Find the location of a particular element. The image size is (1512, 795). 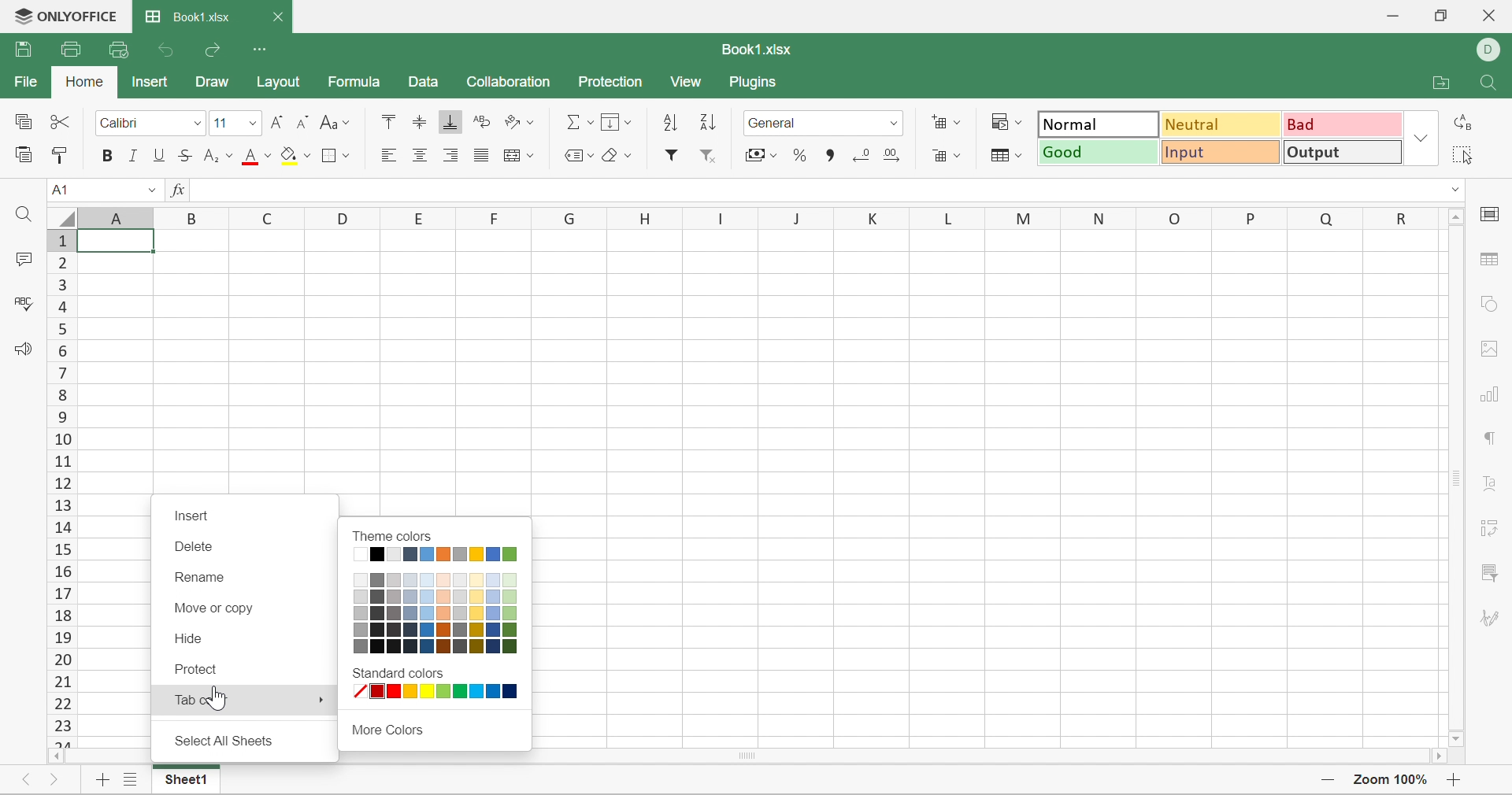

Paragraph settings is located at coordinates (1488, 438).